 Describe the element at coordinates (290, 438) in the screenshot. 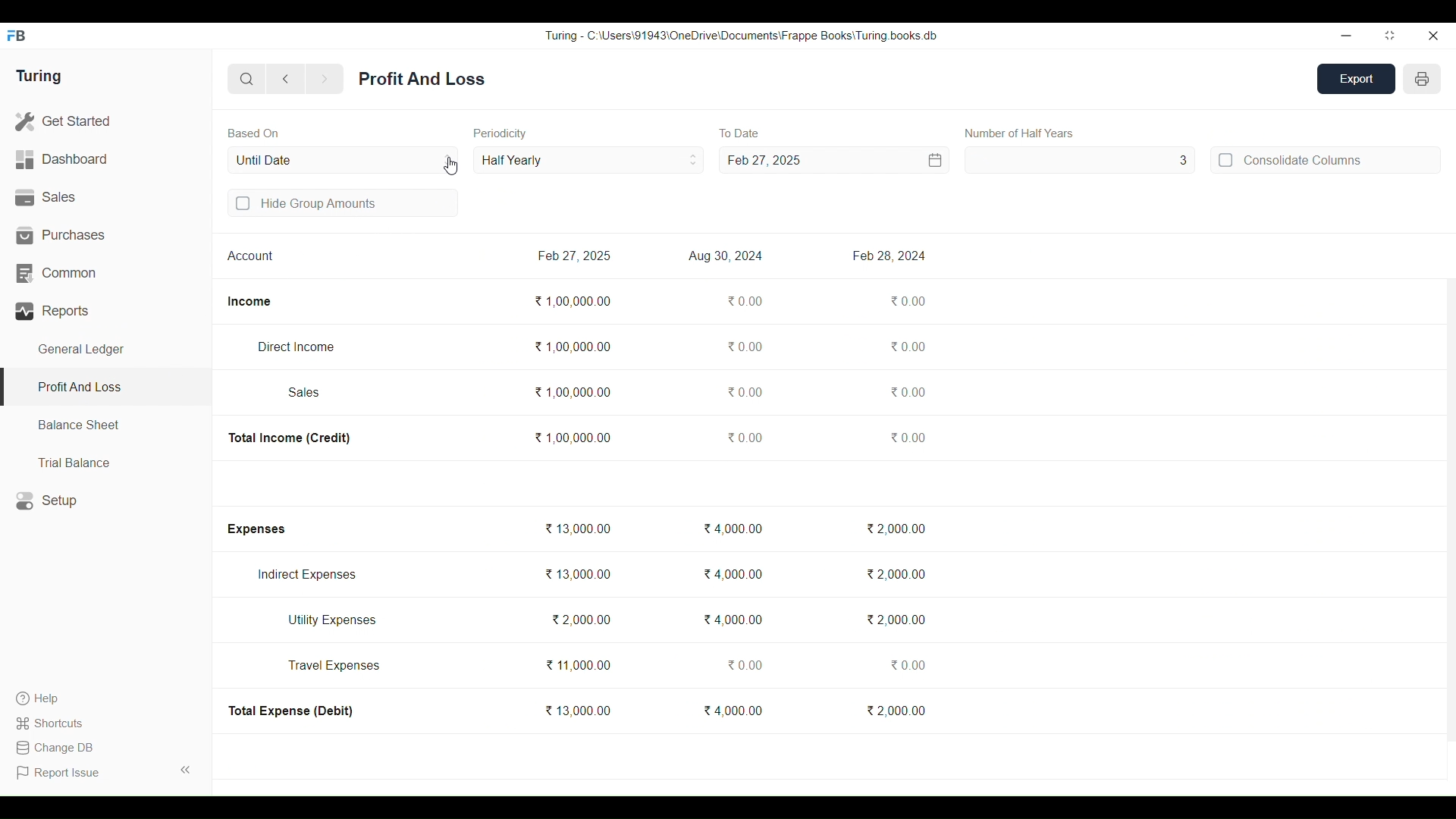

I see `Total Income (Credit)` at that location.